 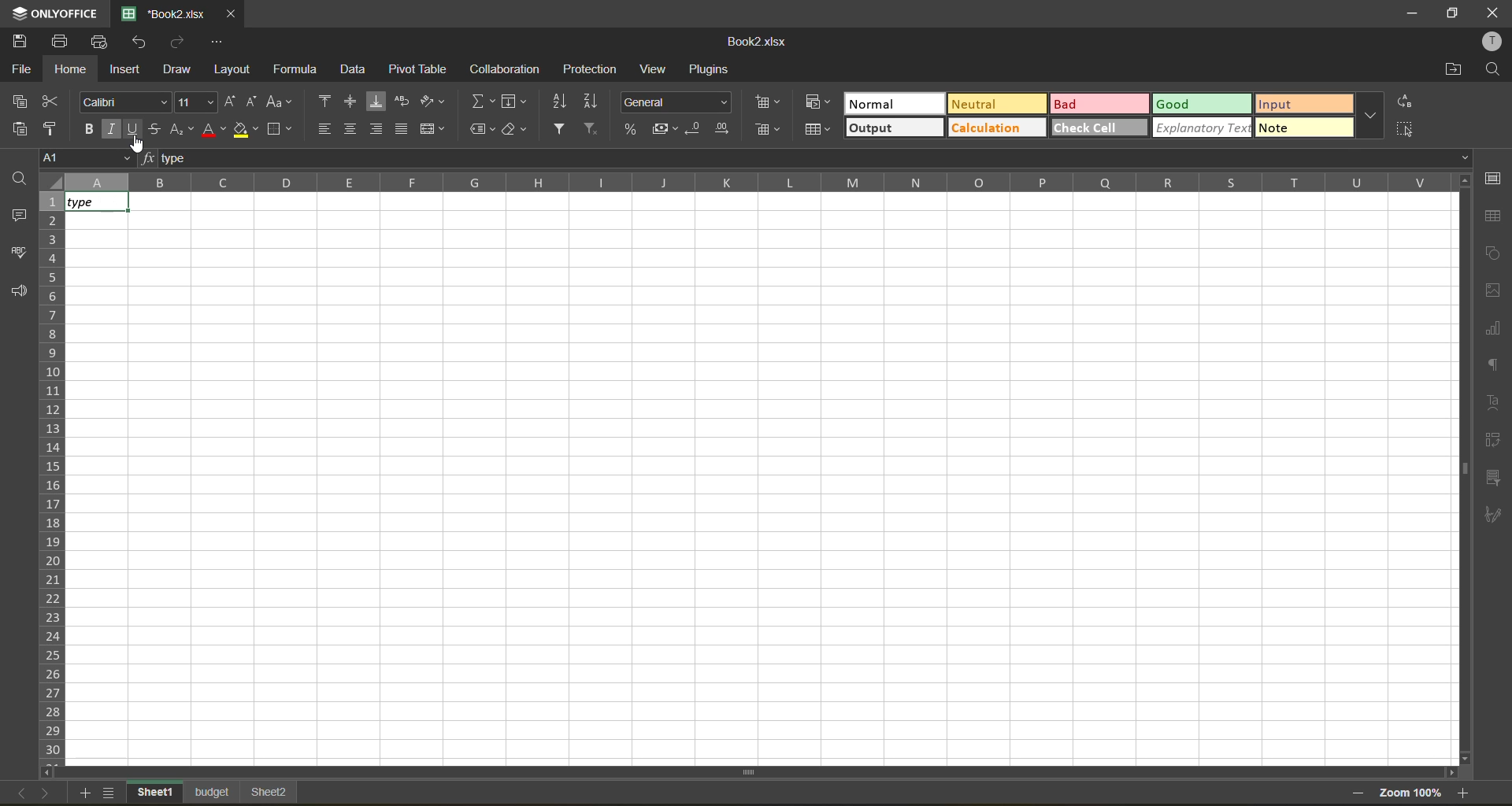 What do you see at coordinates (193, 102) in the screenshot?
I see `font size` at bounding box center [193, 102].